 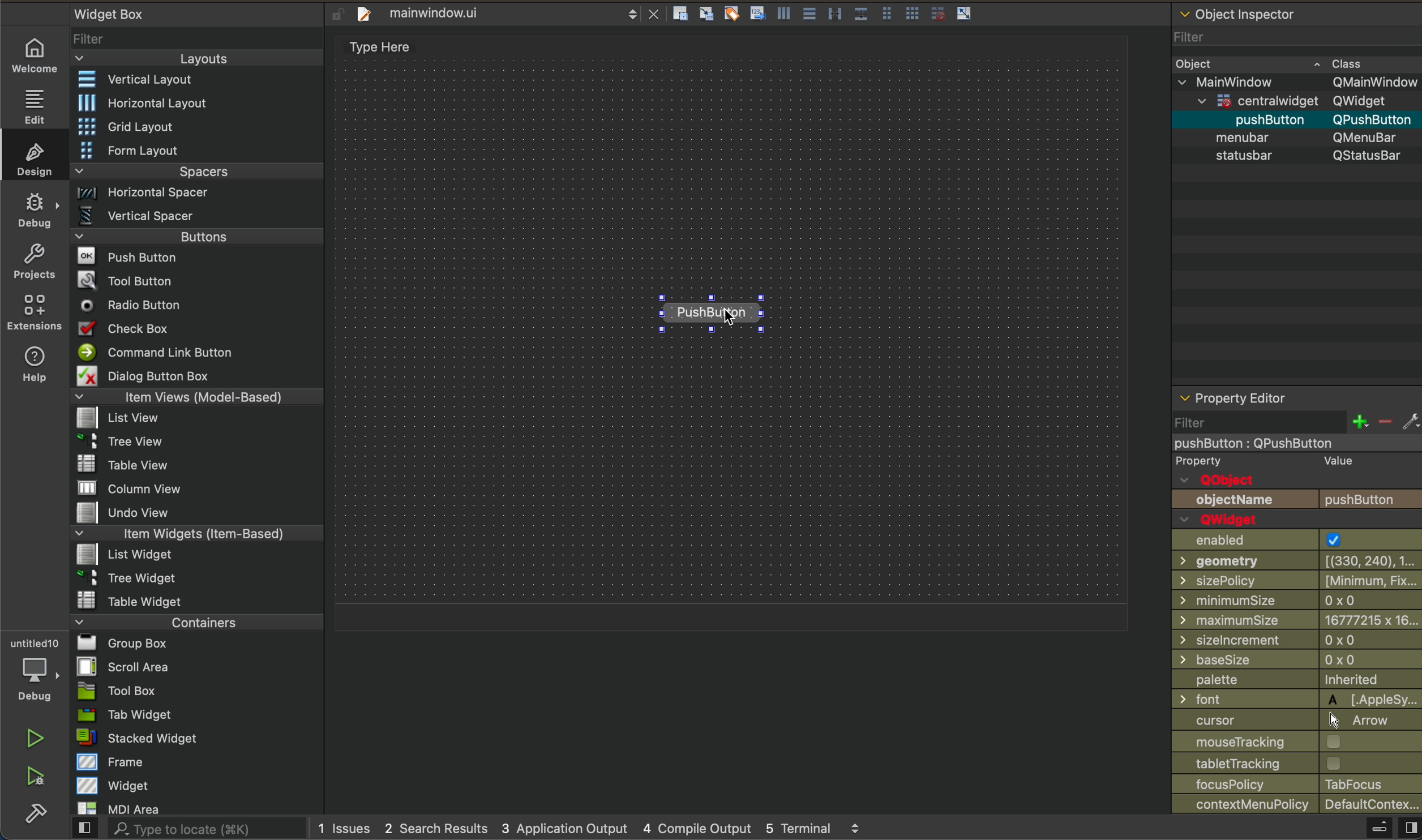 What do you see at coordinates (1297, 424) in the screenshot?
I see `filter section` at bounding box center [1297, 424].